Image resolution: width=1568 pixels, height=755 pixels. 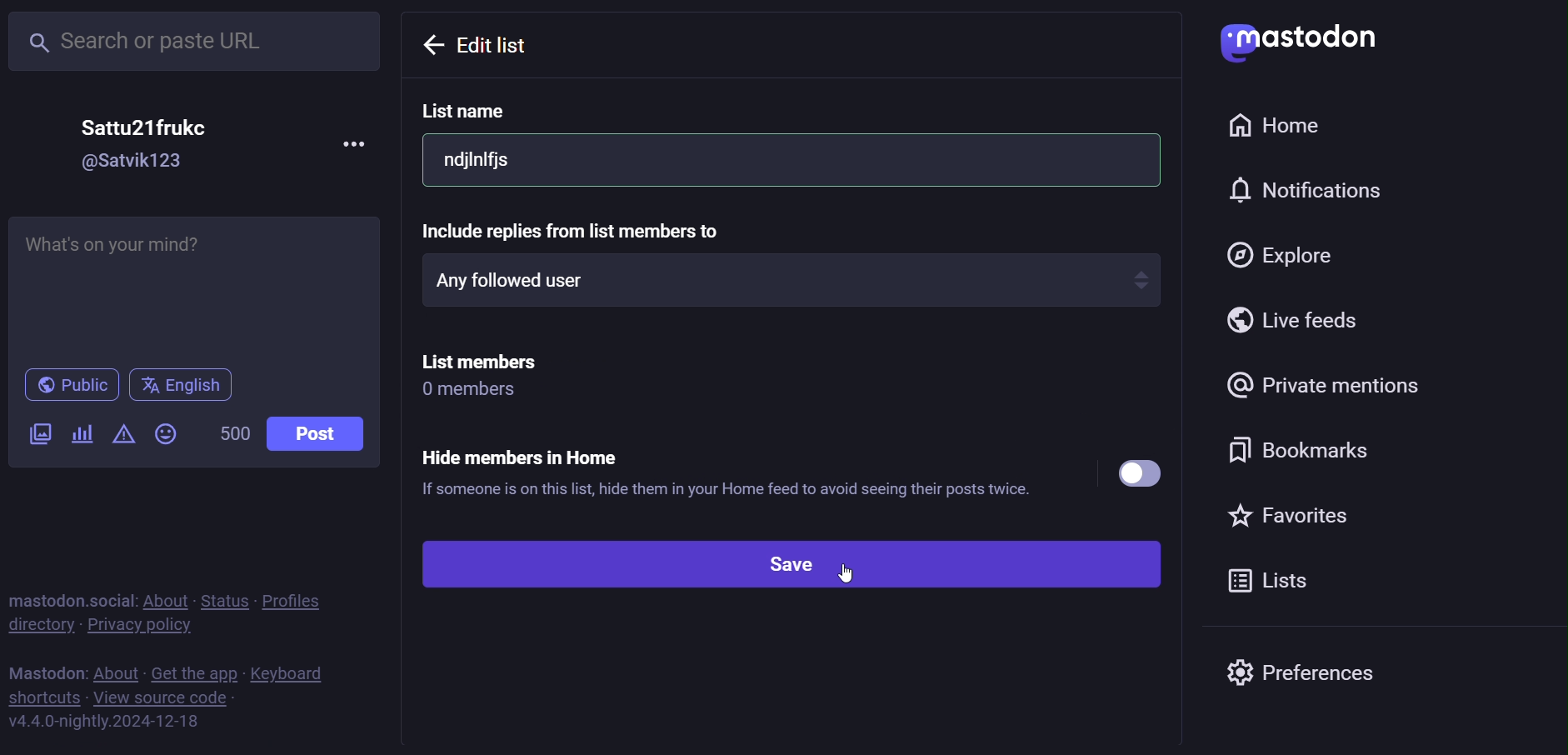 I want to click on save, so click(x=773, y=564).